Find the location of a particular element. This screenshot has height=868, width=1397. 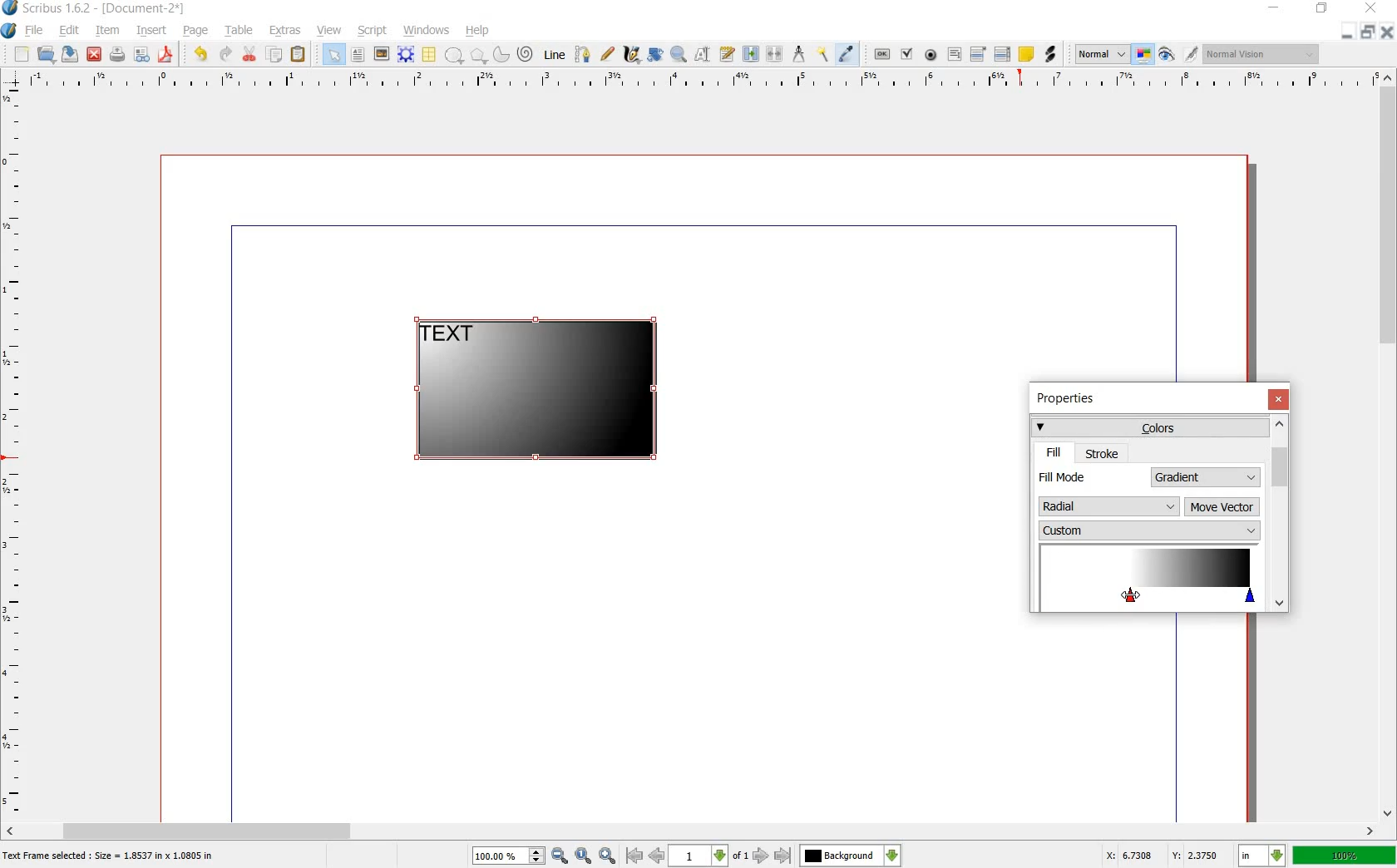

close is located at coordinates (1374, 7).